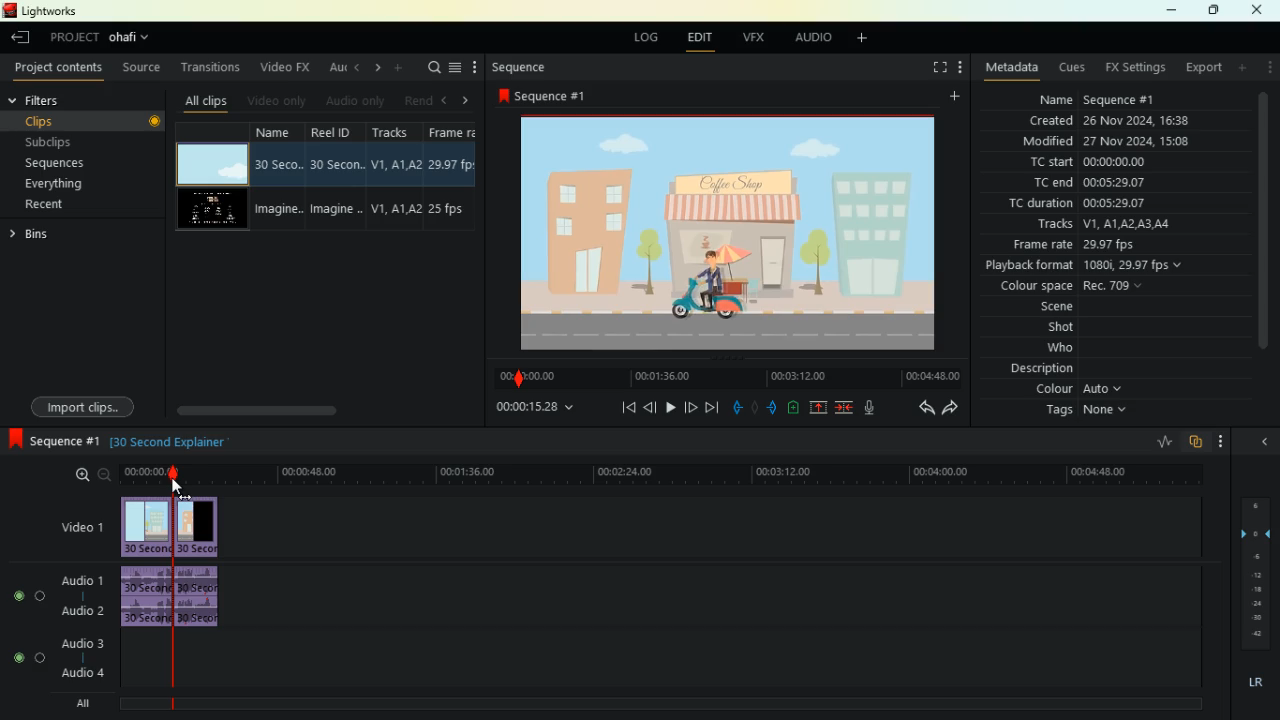 This screenshot has height=720, width=1280. What do you see at coordinates (1120, 102) in the screenshot?
I see `Sequence #1` at bounding box center [1120, 102].